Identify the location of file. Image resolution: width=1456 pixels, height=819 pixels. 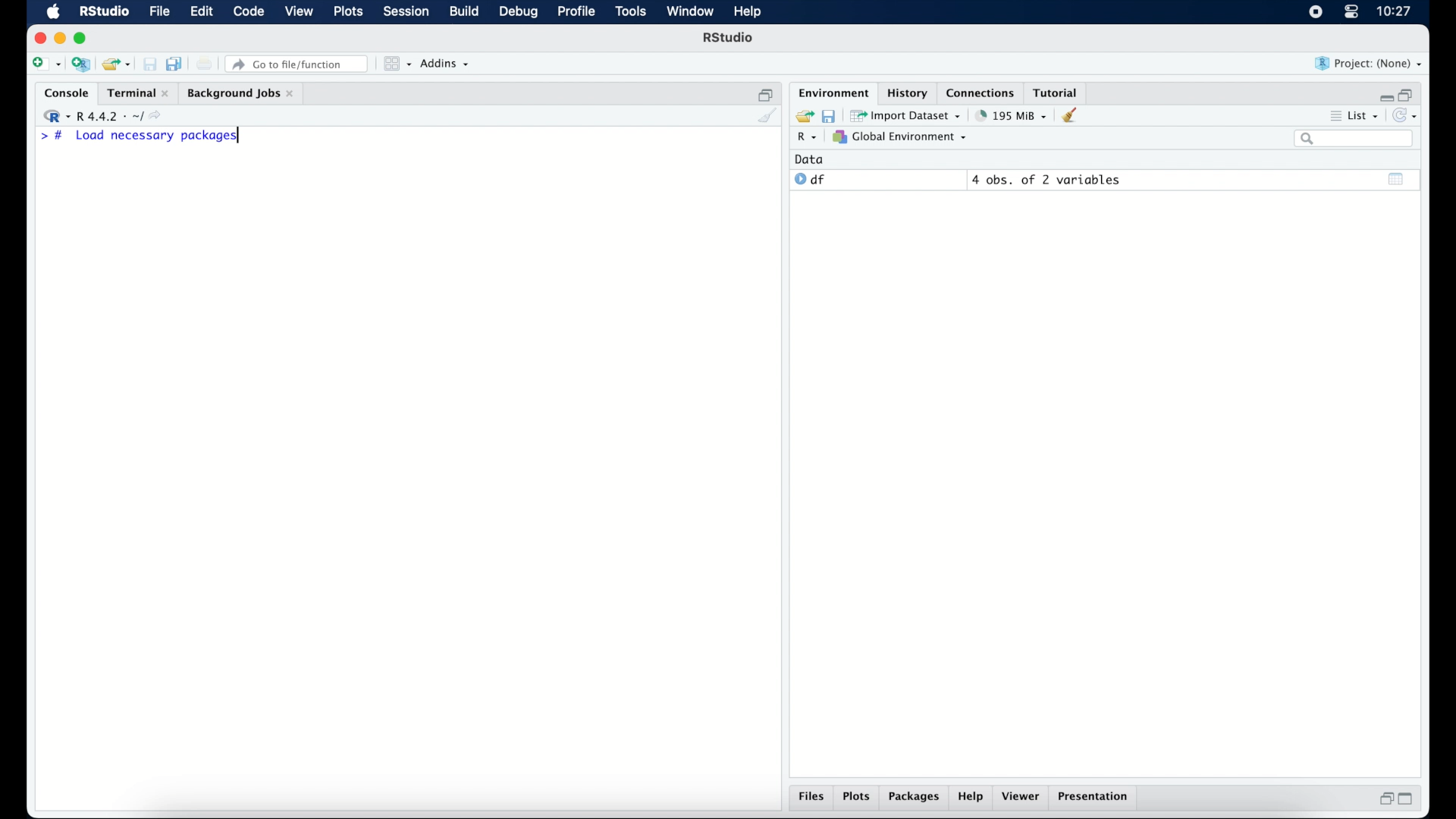
(158, 12).